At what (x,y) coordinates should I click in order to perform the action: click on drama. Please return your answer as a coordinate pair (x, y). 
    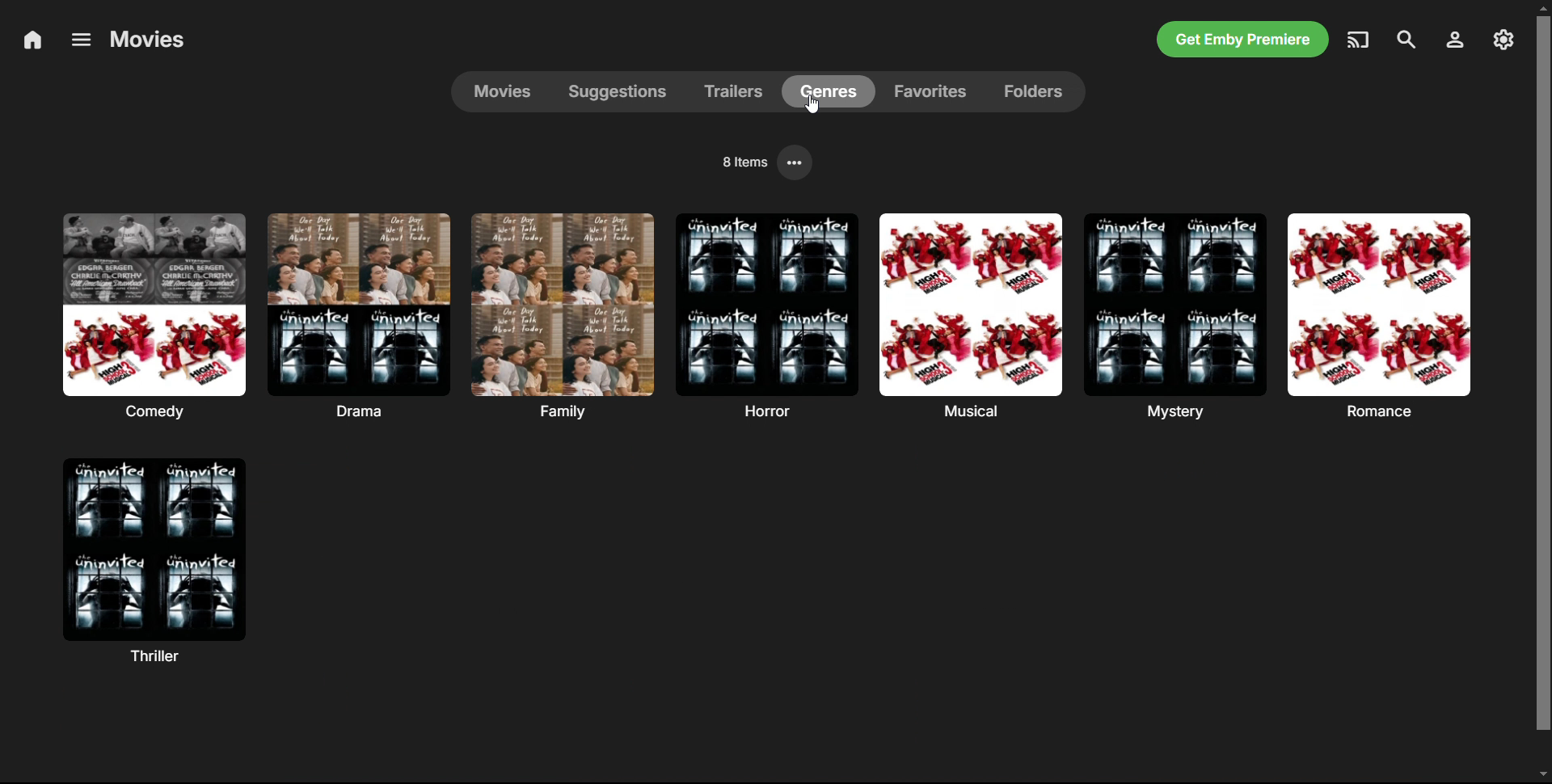
    Looking at the image, I should click on (359, 314).